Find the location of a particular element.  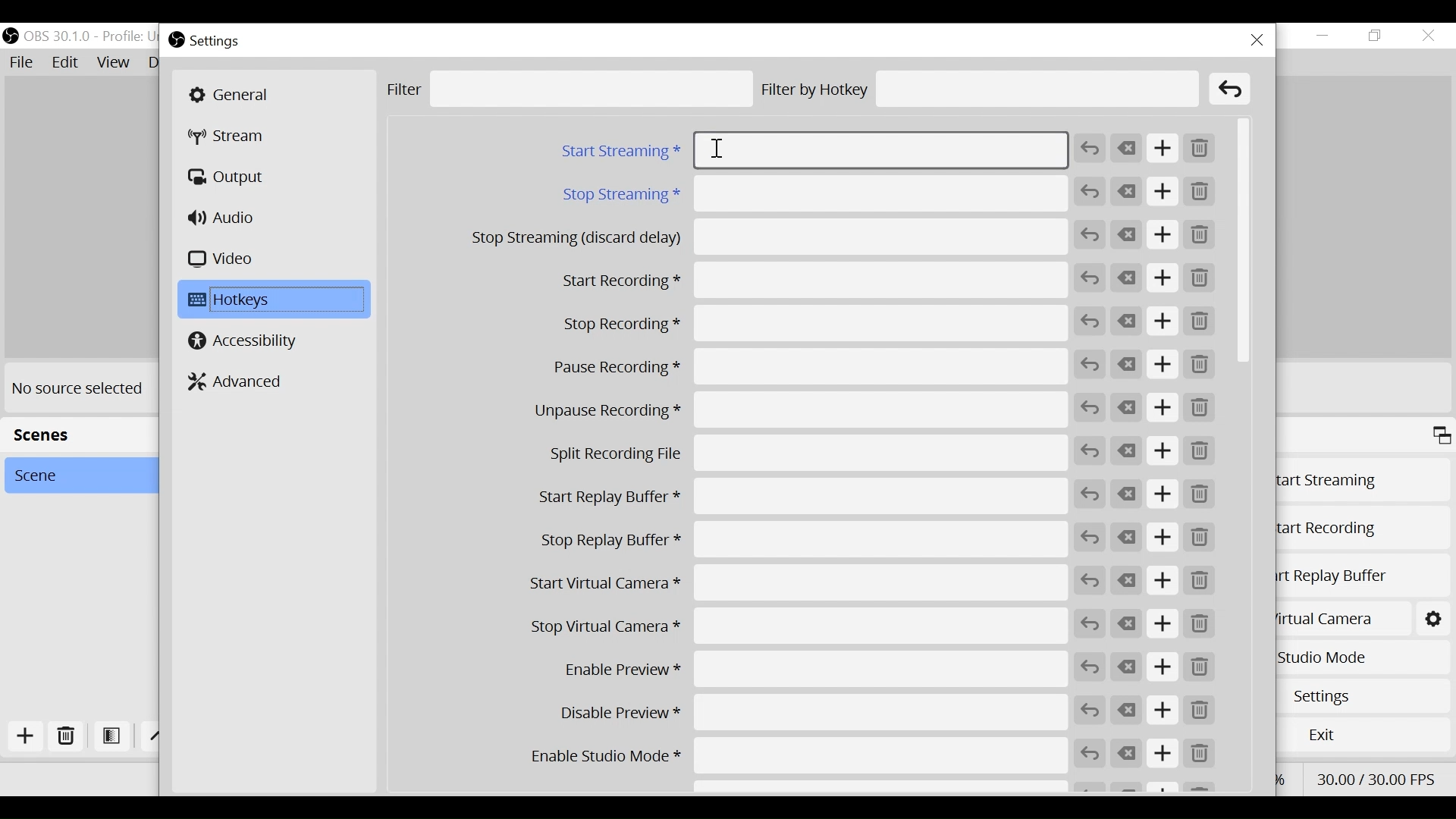

Settings is located at coordinates (1363, 693).